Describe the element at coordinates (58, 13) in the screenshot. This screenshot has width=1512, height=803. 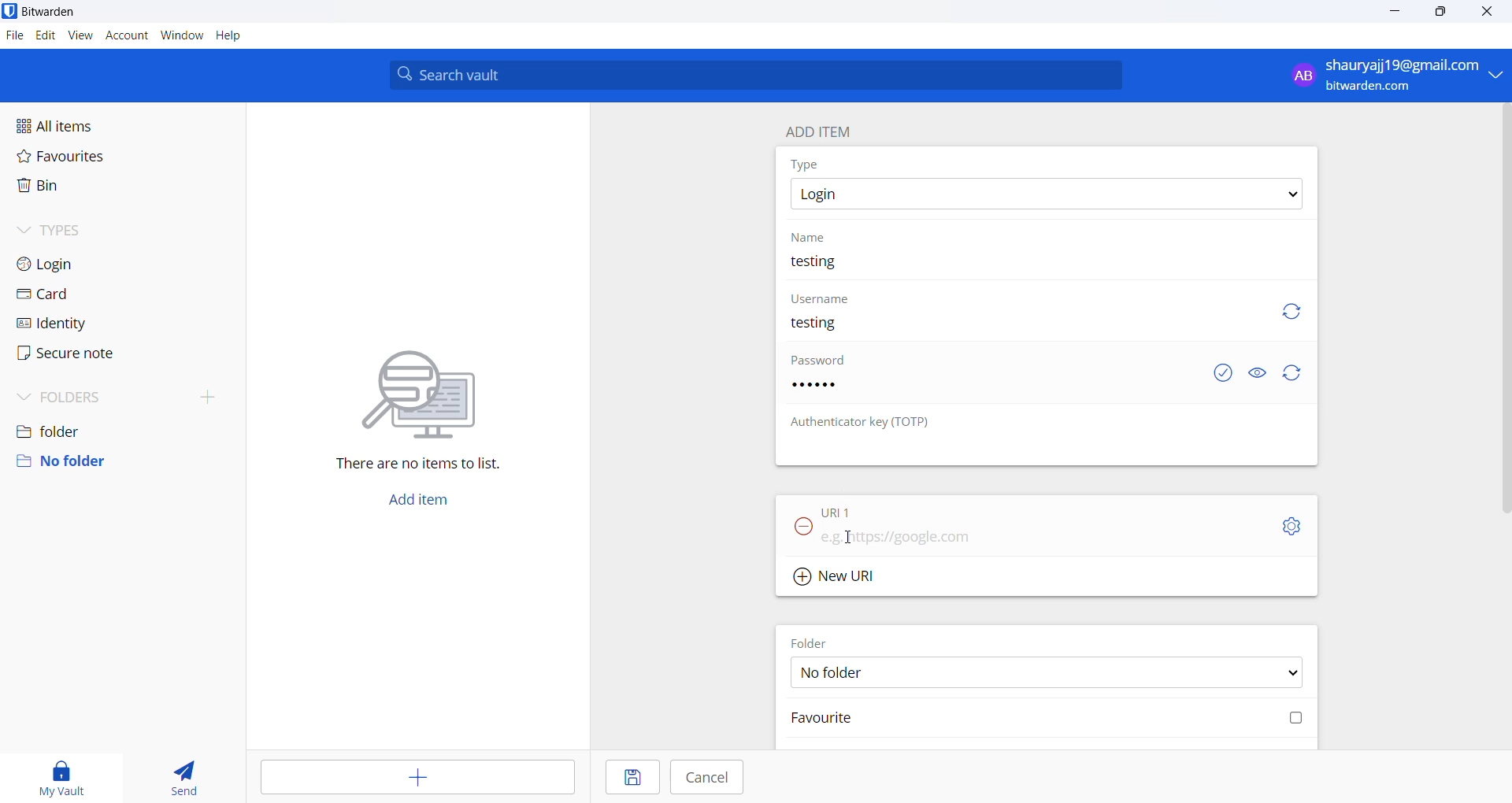
I see `application name and logo` at that location.